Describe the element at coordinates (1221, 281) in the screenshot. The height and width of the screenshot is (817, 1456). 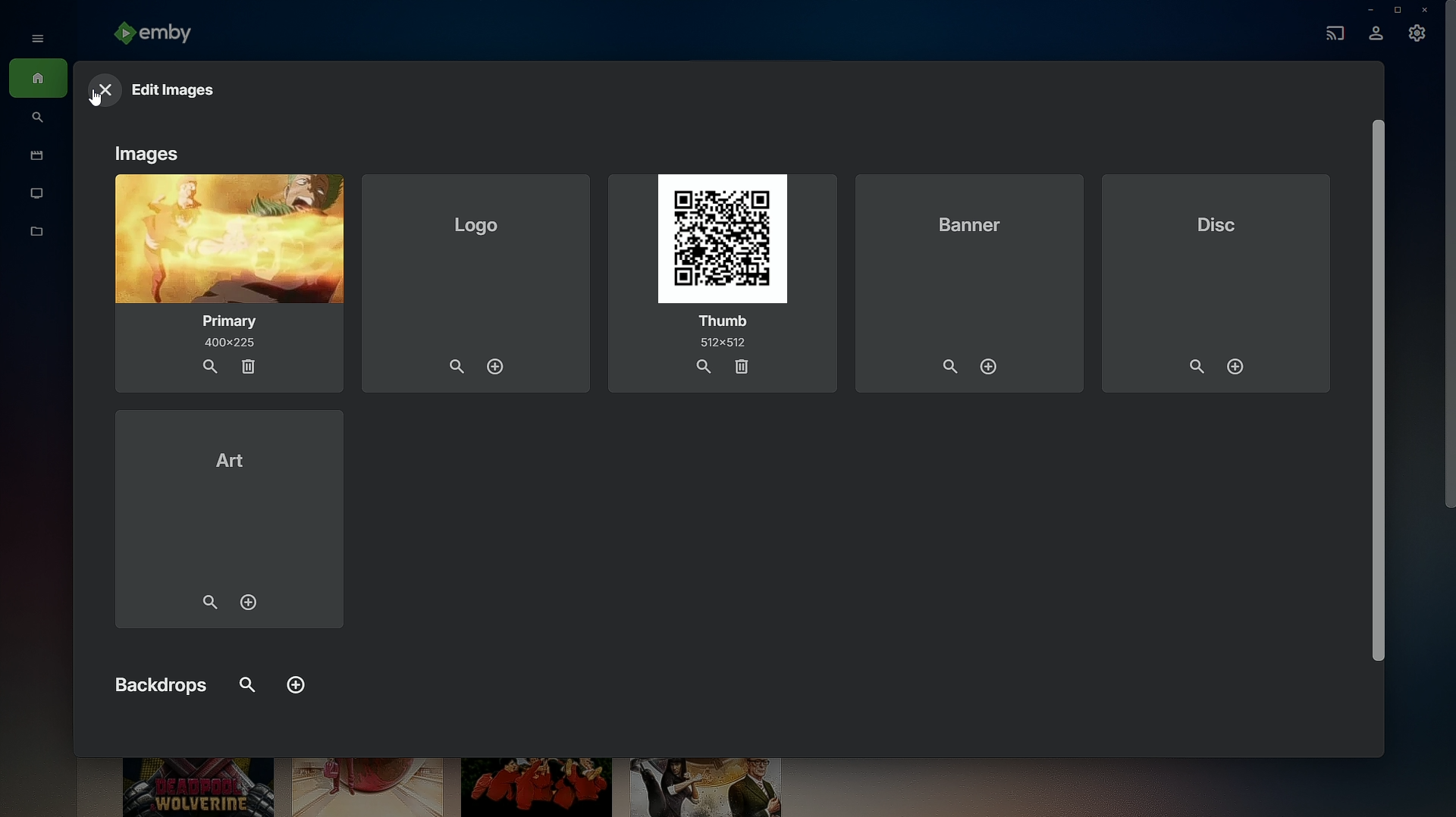
I see `Disc` at that location.